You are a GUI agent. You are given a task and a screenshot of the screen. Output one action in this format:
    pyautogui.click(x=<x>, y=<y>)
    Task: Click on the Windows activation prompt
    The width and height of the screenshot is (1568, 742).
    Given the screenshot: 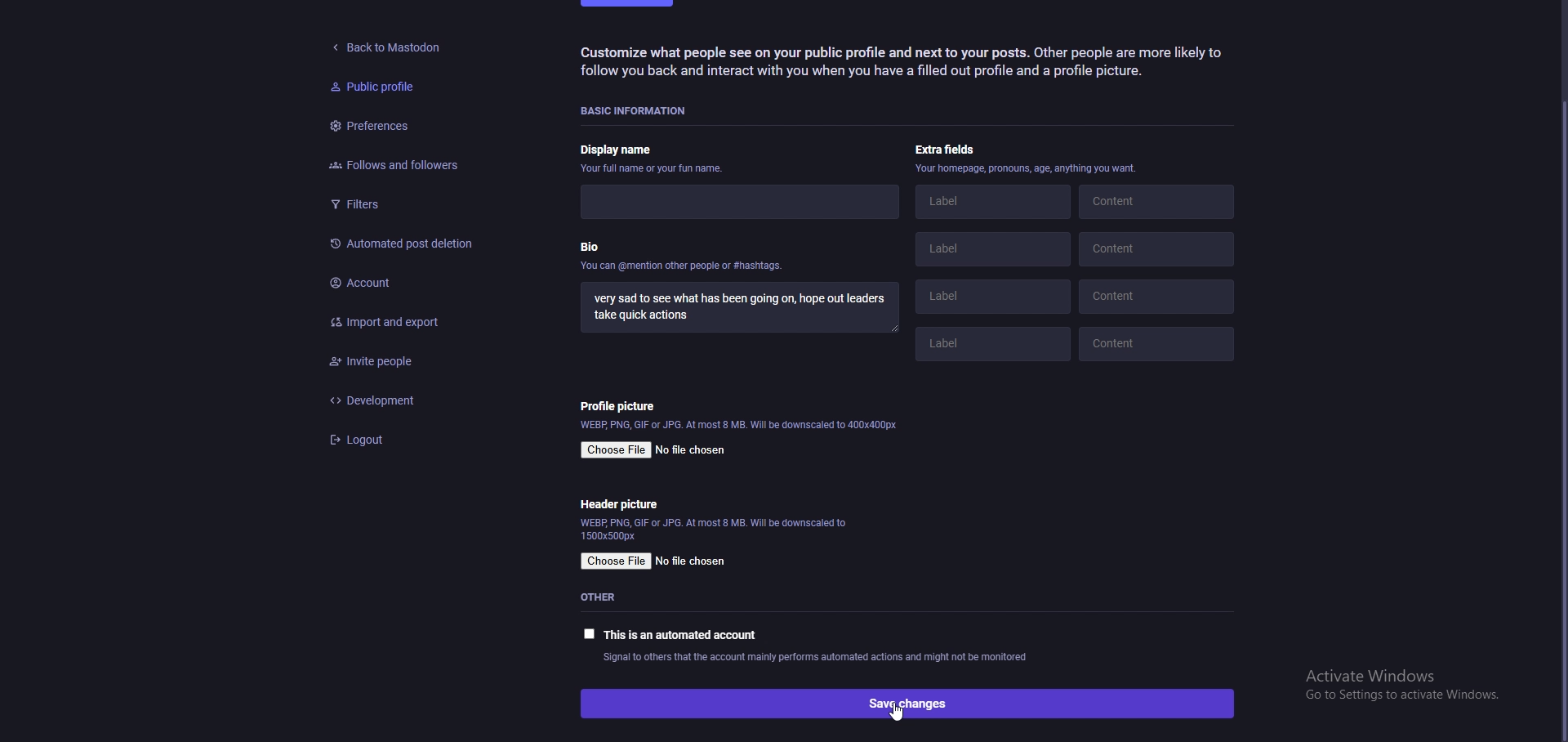 What is the action you would take?
    pyautogui.click(x=1394, y=687)
    